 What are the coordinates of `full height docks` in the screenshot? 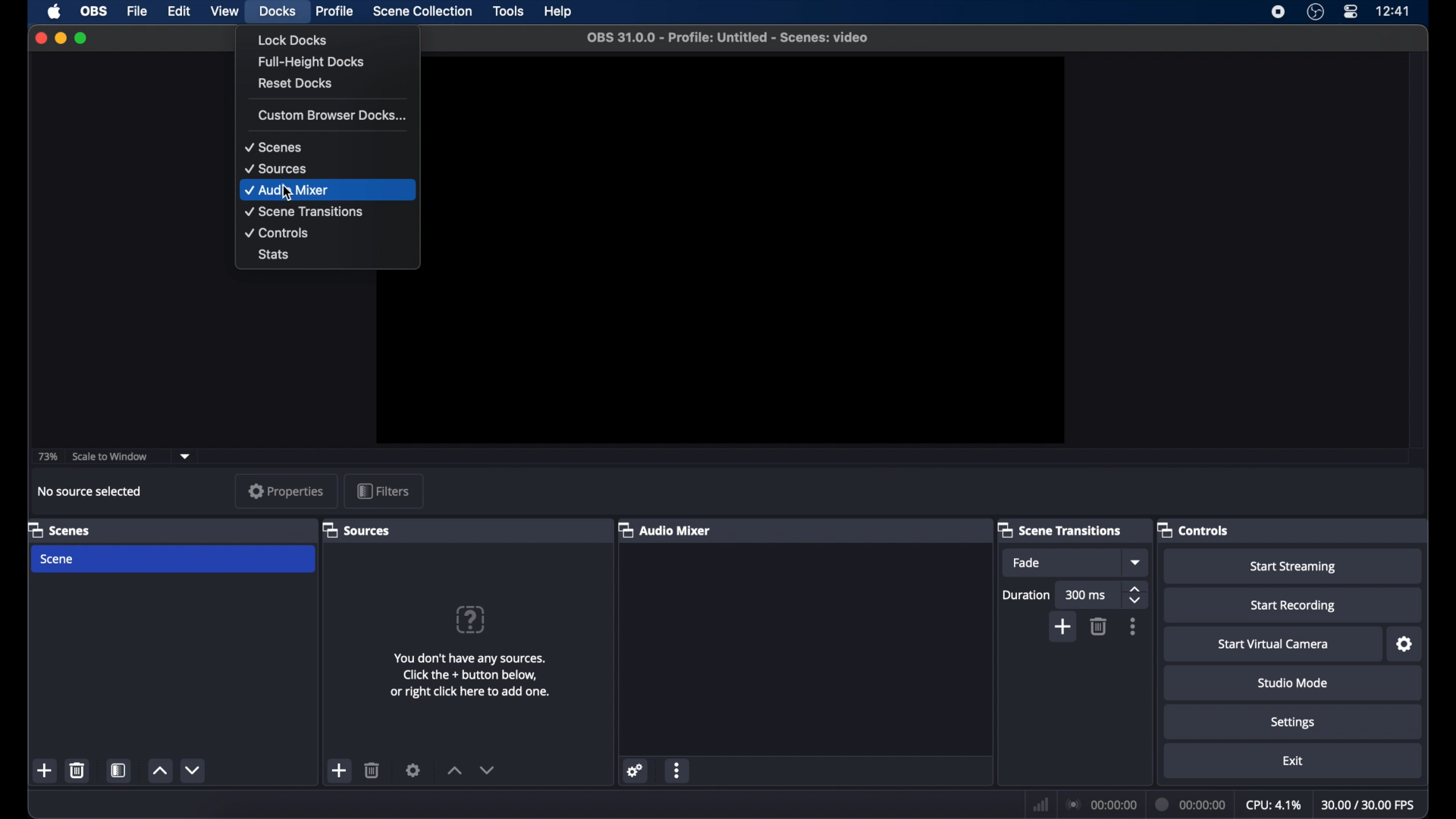 It's located at (313, 62).